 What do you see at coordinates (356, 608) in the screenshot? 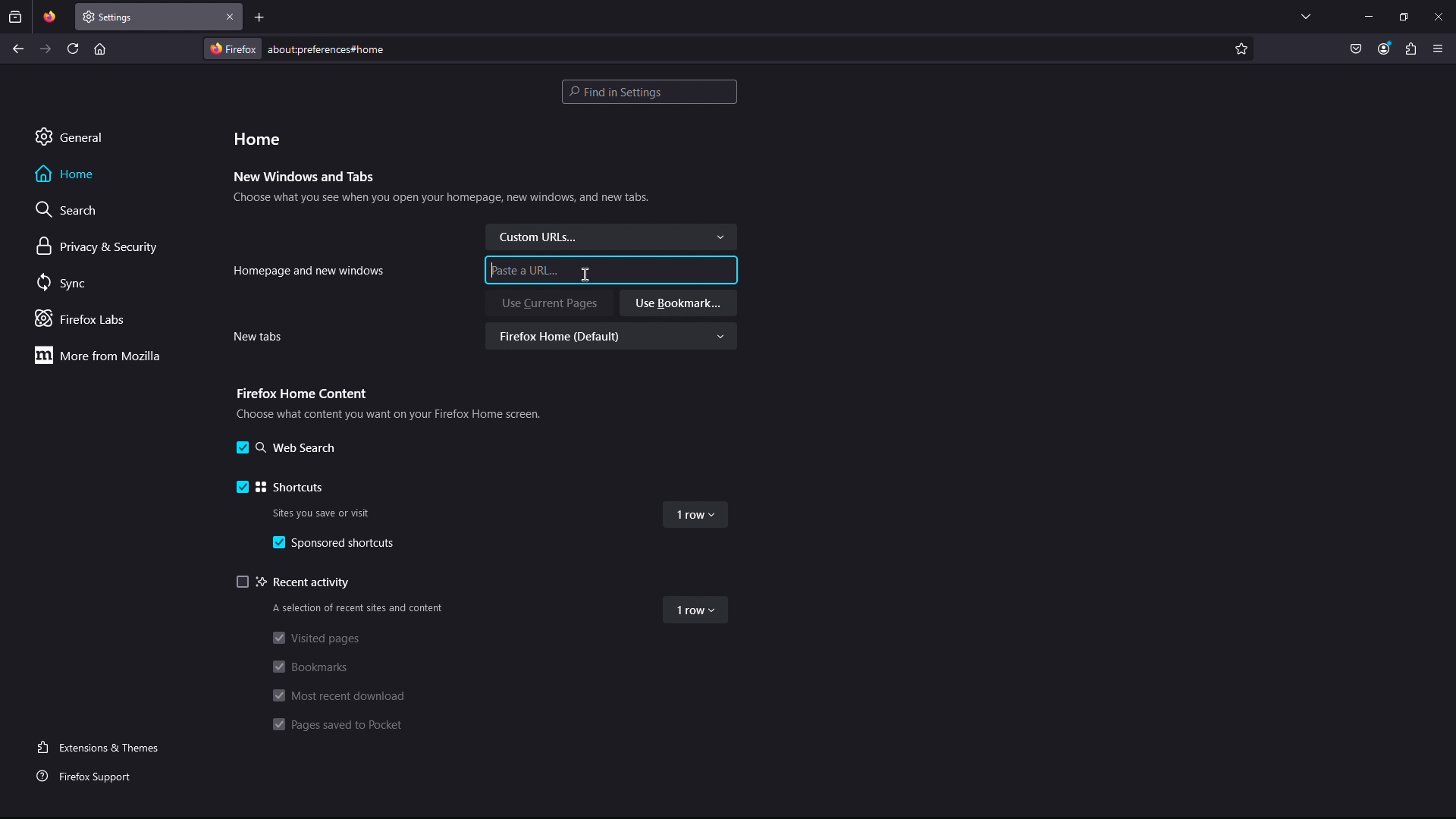
I see `A selection of recent sites and content` at bounding box center [356, 608].